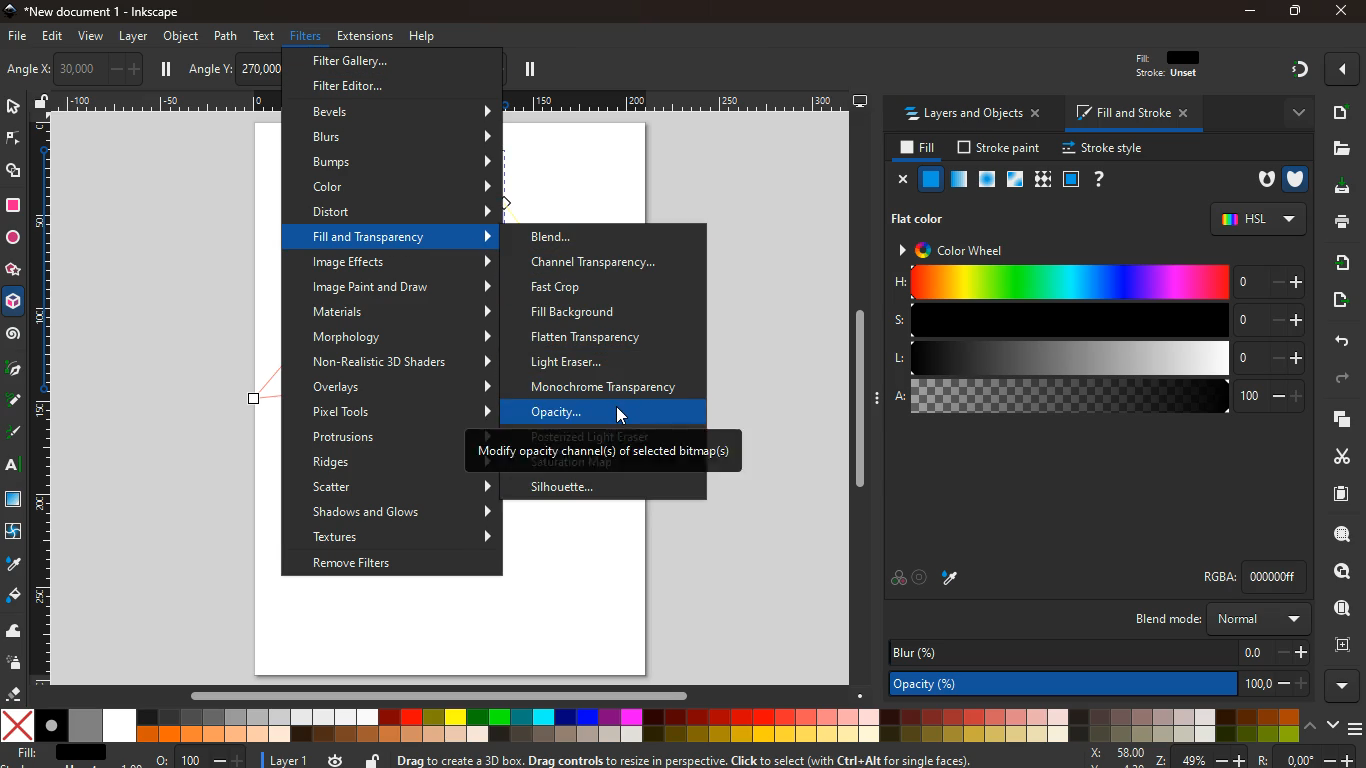  Describe the element at coordinates (402, 236) in the screenshot. I see `fill and transparency` at that location.